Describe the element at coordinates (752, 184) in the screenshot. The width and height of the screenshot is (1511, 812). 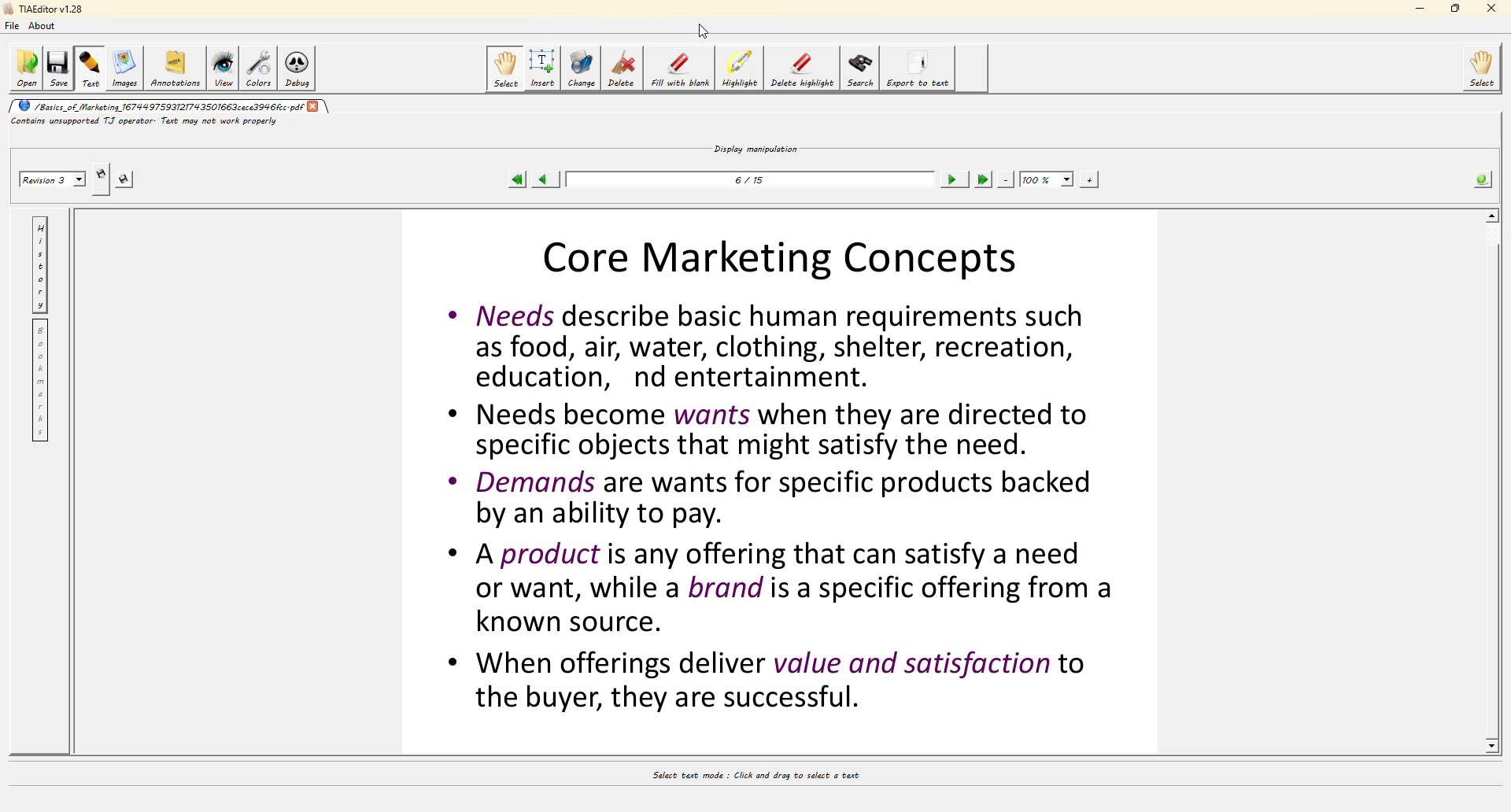
I see `6/15` at that location.